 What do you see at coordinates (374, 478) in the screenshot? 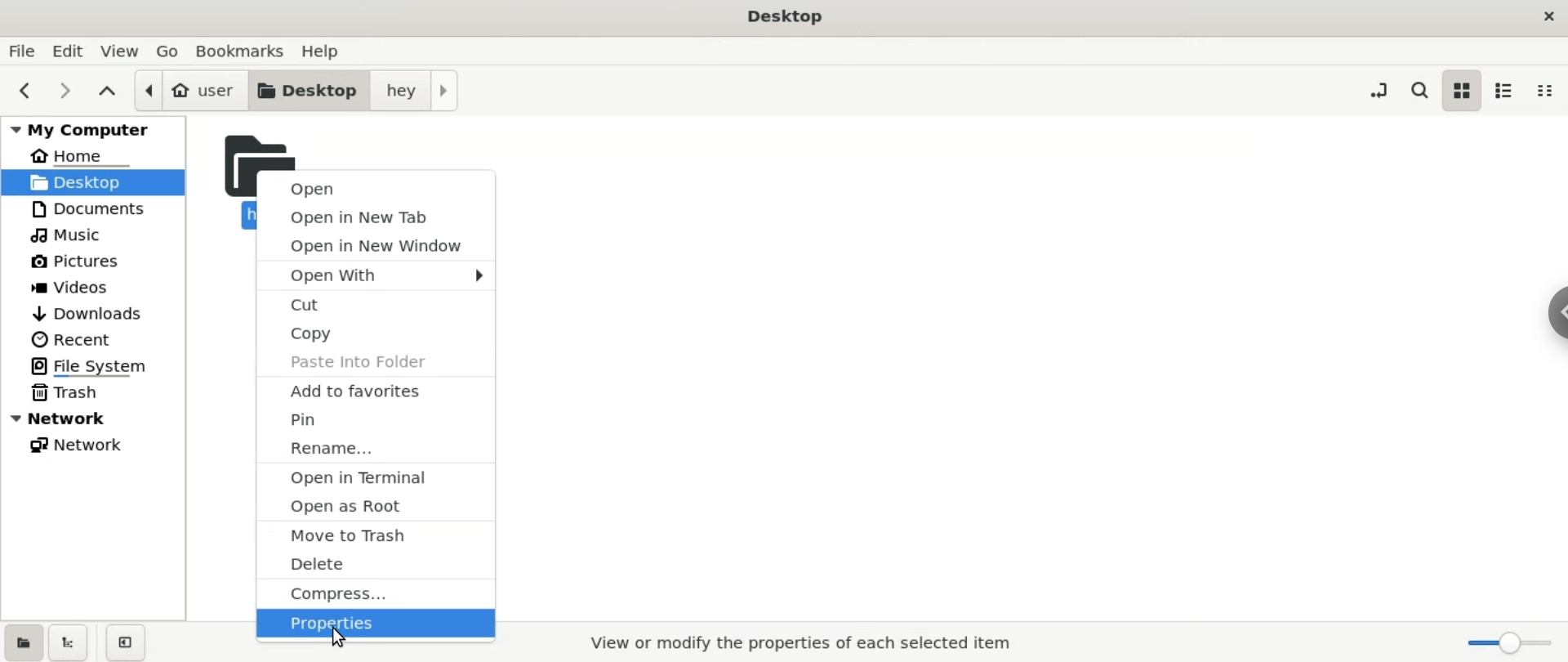
I see `open in terminal` at bounding box center [374, 478].